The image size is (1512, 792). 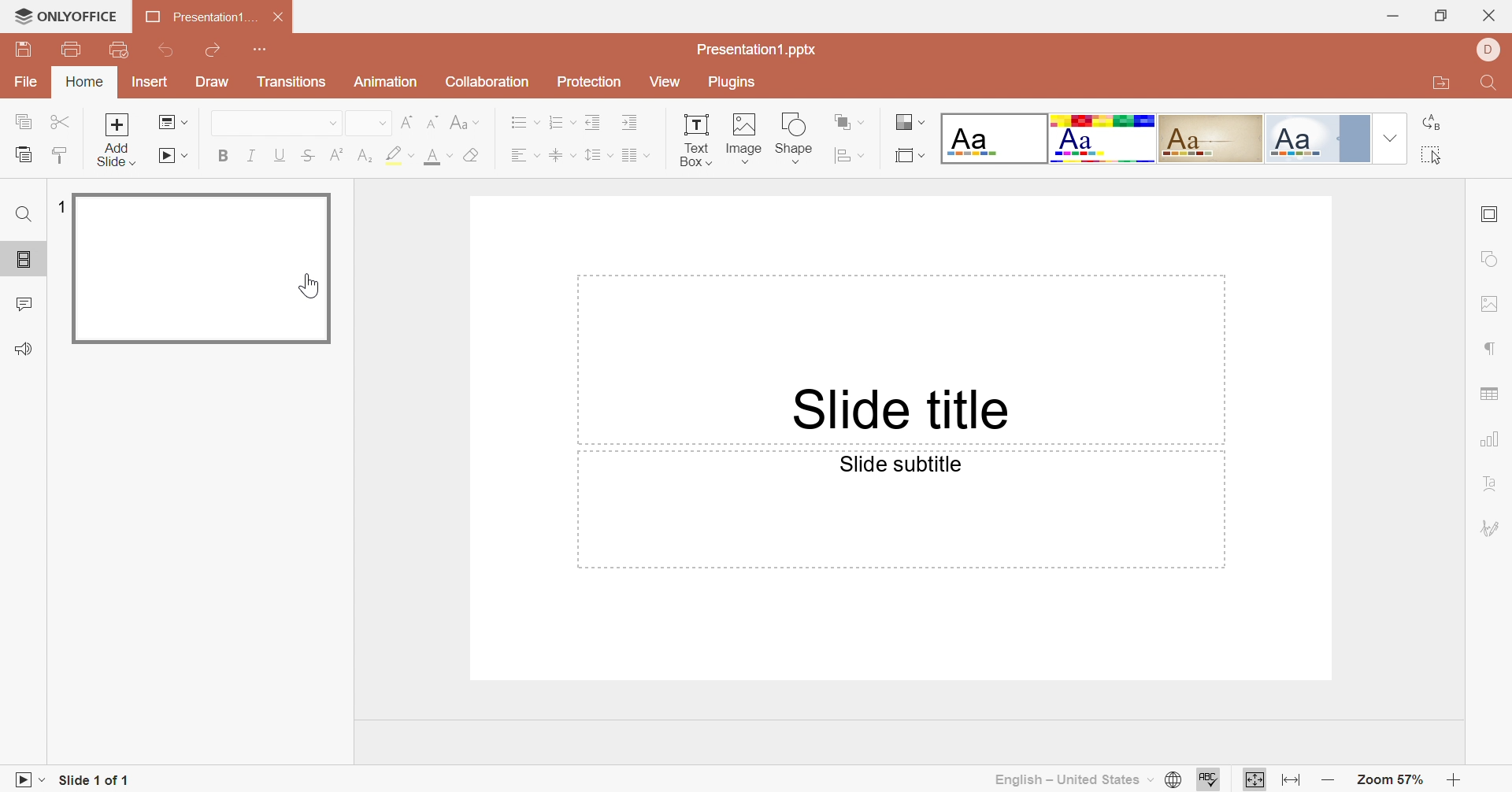 I want to click on Cursor, so click(x=306, y=288).